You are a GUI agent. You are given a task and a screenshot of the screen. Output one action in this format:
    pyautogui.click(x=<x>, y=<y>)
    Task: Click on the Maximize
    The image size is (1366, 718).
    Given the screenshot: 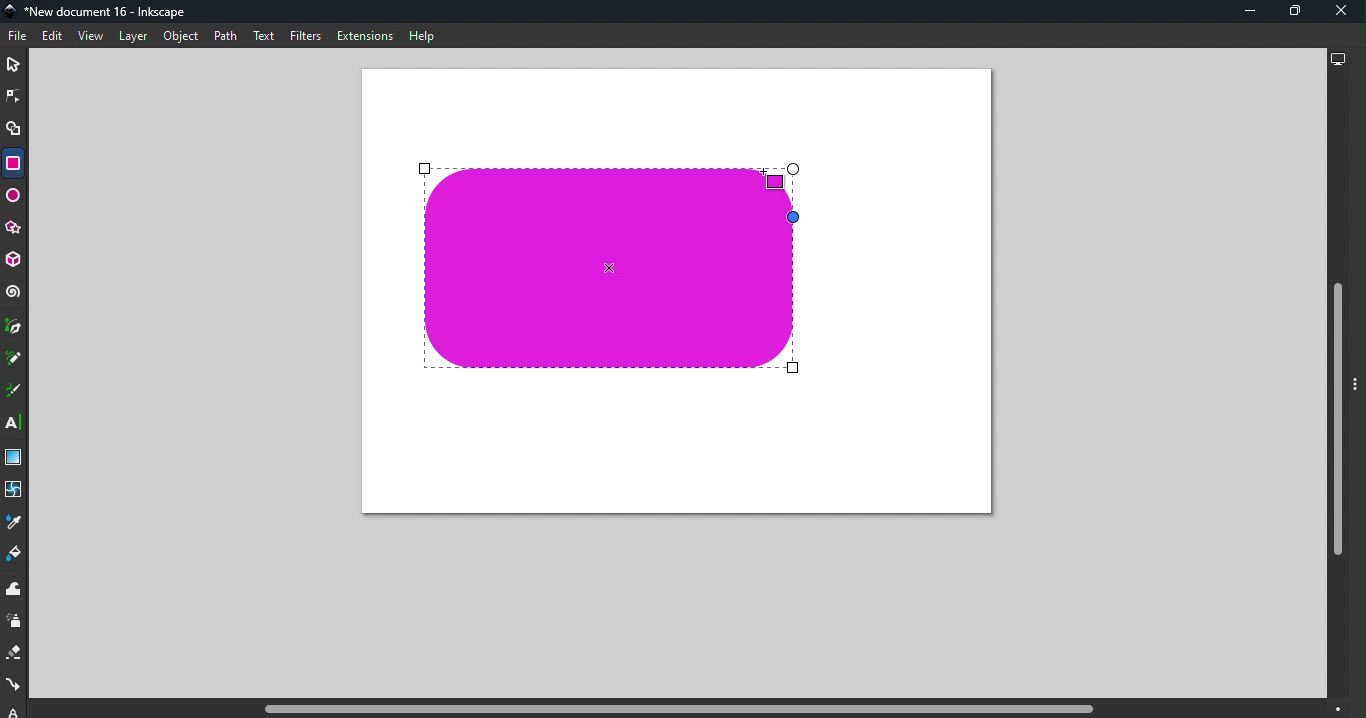 What is the action you would take?
    pyautogui.click(x=1288, y=14)
    